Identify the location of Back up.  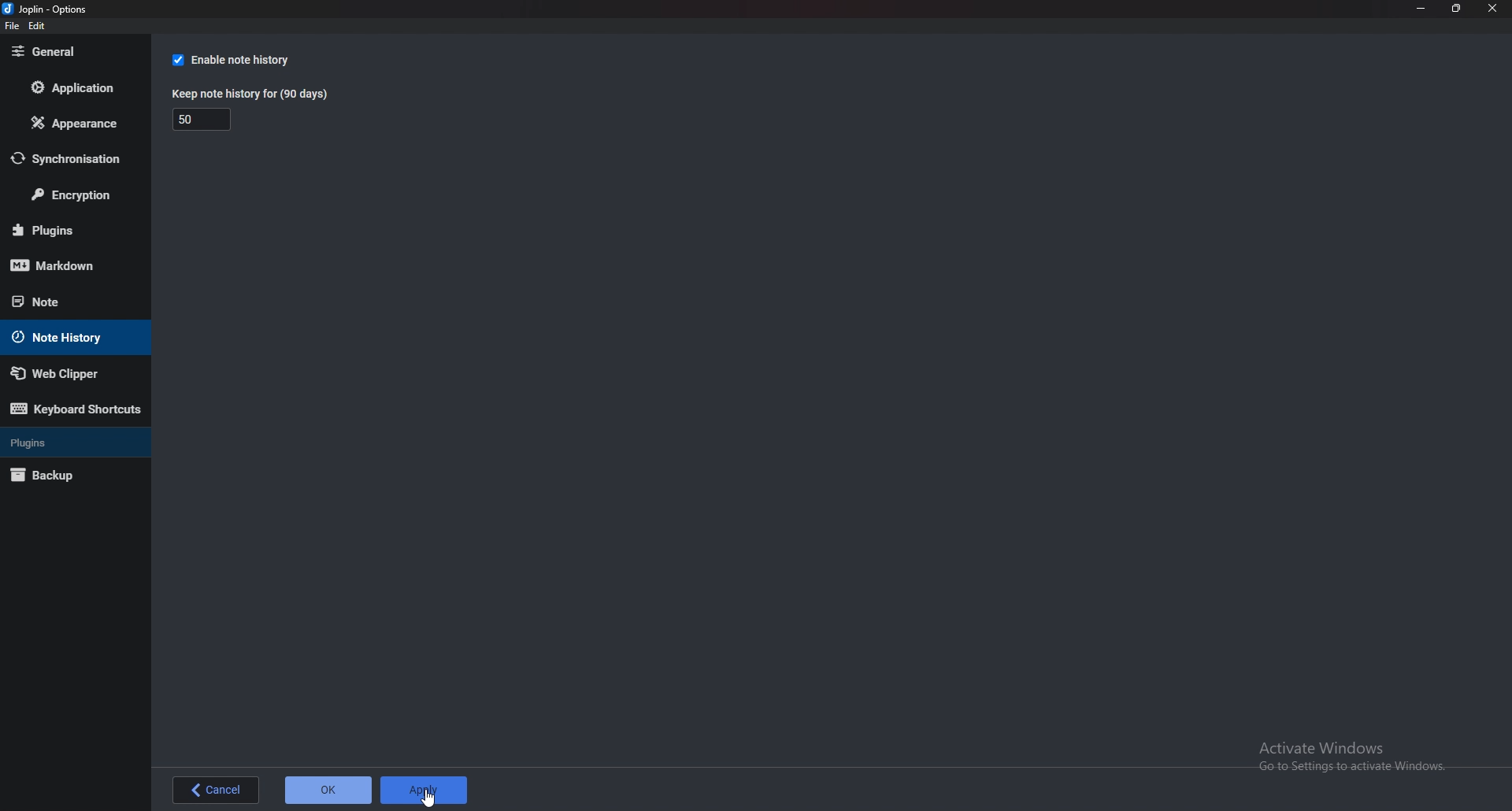
(63, 476).